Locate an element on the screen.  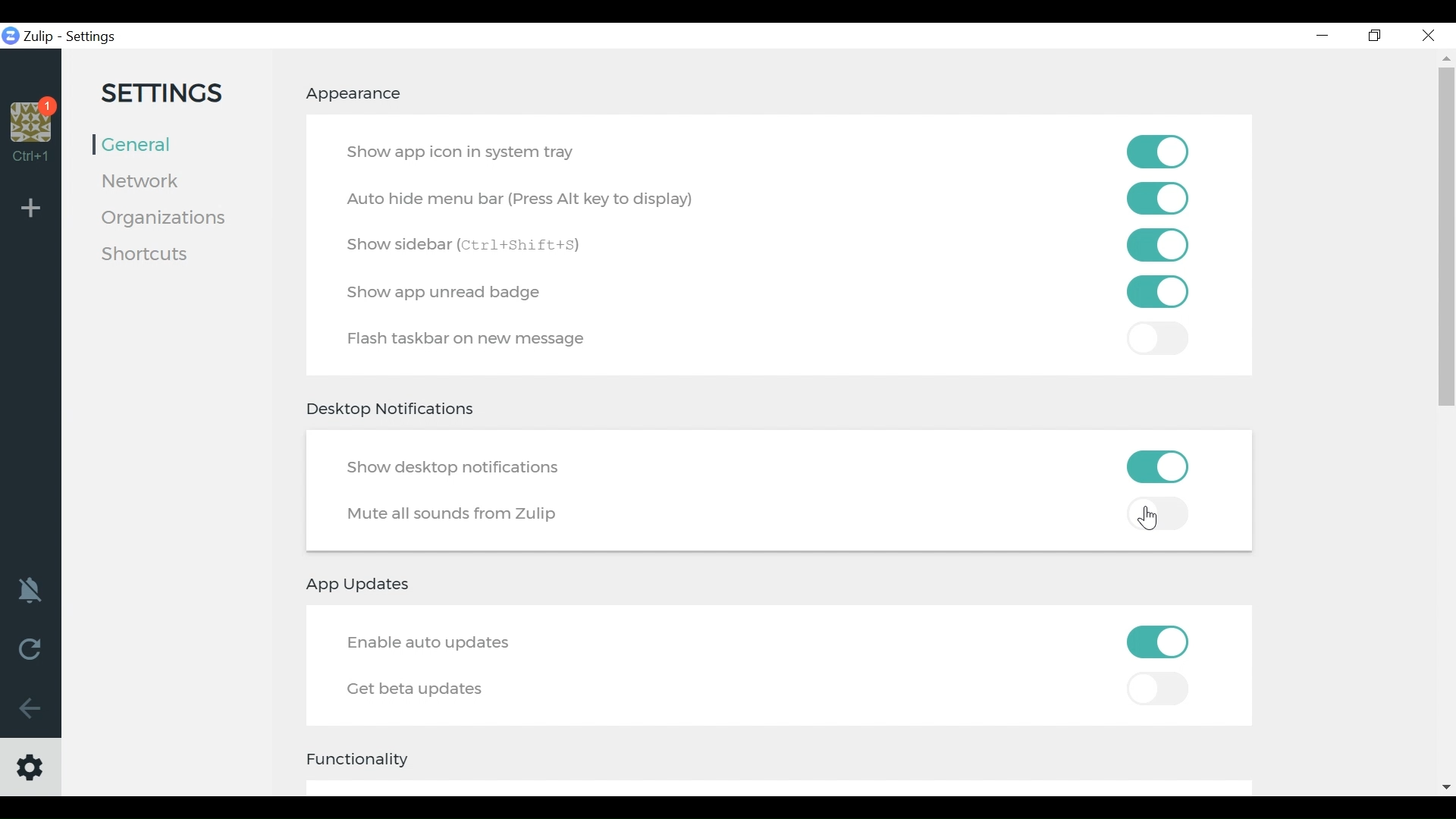
Close is located at coordinates (1427, 36).